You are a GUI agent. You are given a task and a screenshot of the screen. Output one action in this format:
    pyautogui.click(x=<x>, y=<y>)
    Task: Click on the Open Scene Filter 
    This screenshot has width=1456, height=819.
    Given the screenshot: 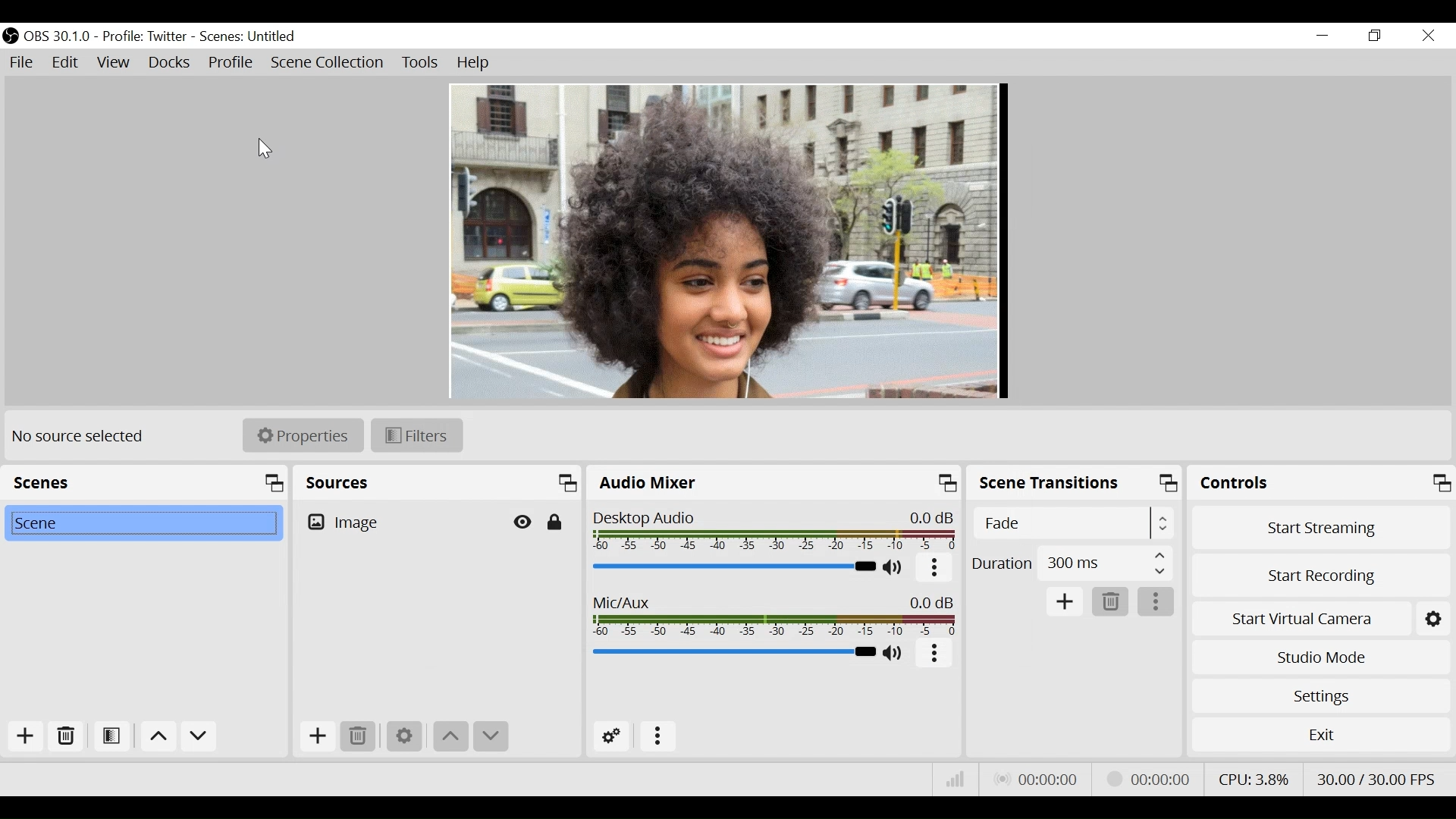 What is the action you would take?
    pyautogui.click(x=108, y=739)
    